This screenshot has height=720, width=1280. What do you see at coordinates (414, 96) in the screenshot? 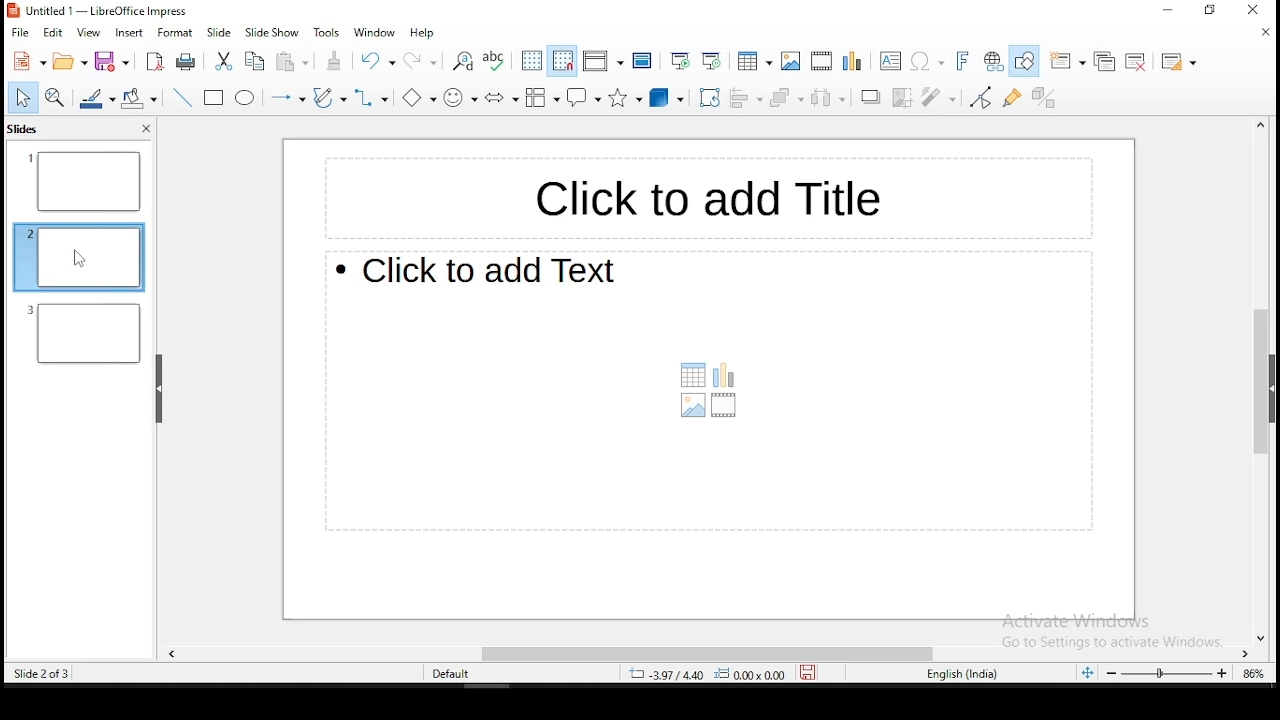
I see `basic shapes` at bounding box center [414, 96].